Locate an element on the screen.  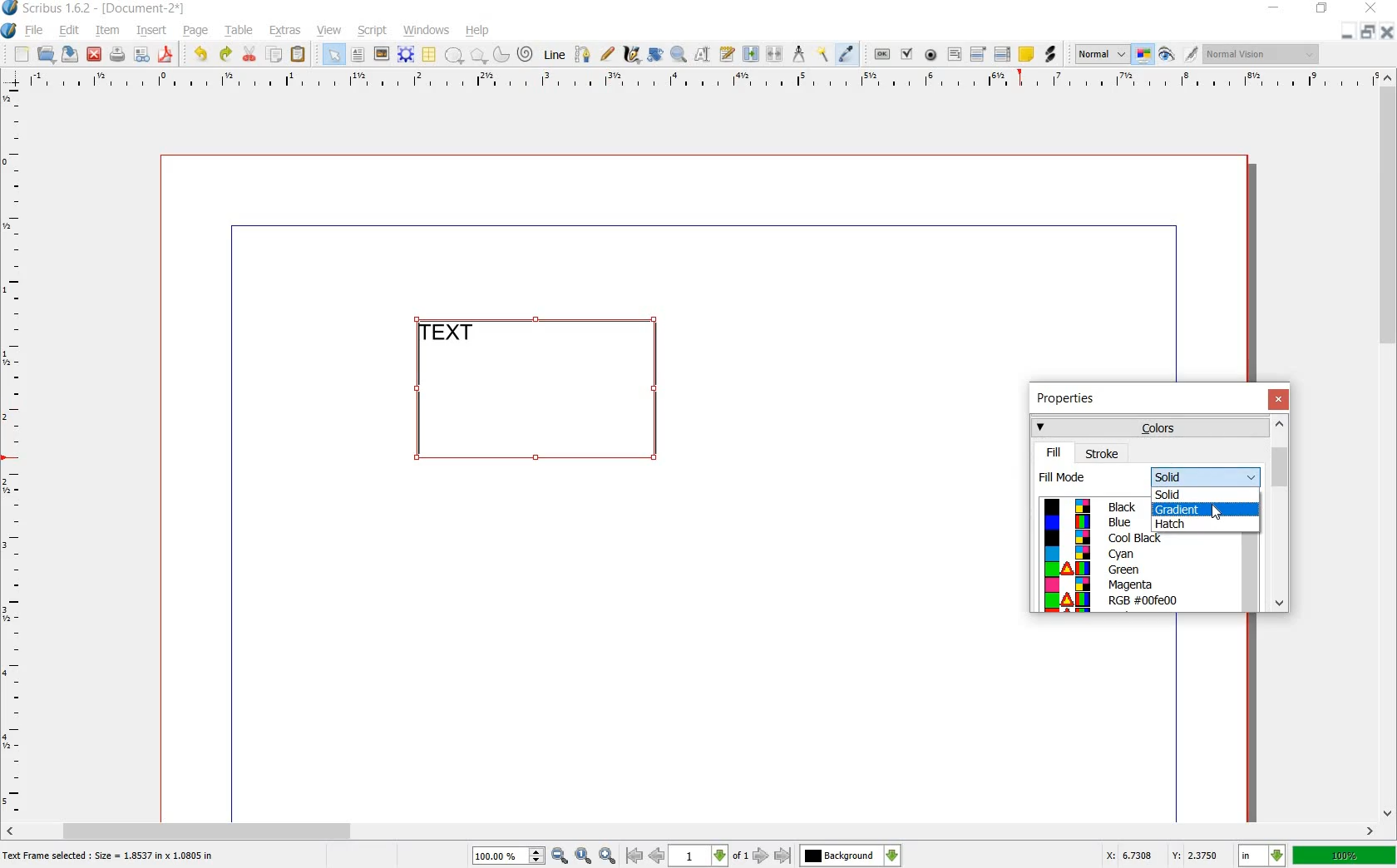
cool black is located at coordinates (1134, 538).